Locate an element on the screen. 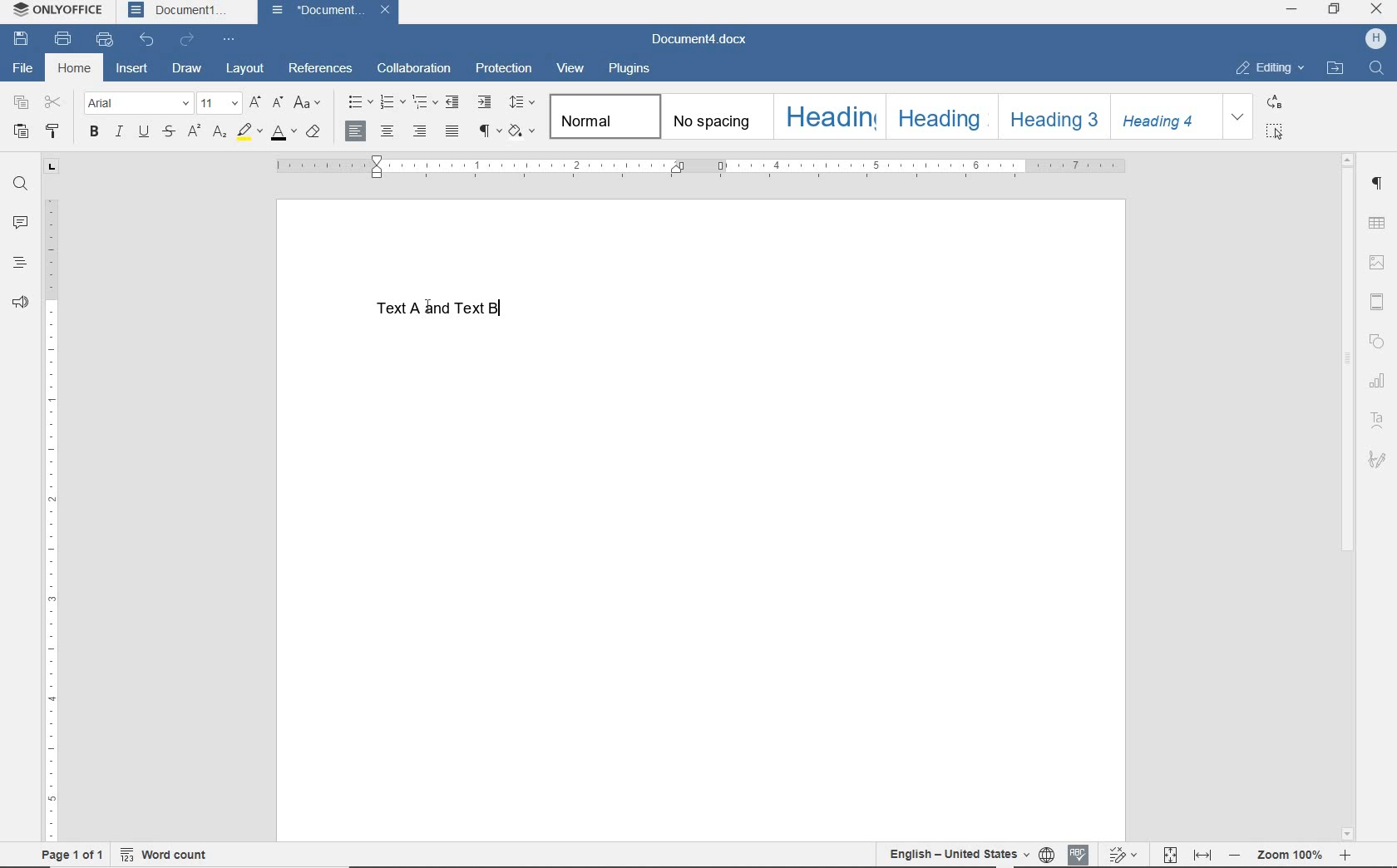 This screenshot has height=868, width=1397. FIND is located at coordinates (18, 184).